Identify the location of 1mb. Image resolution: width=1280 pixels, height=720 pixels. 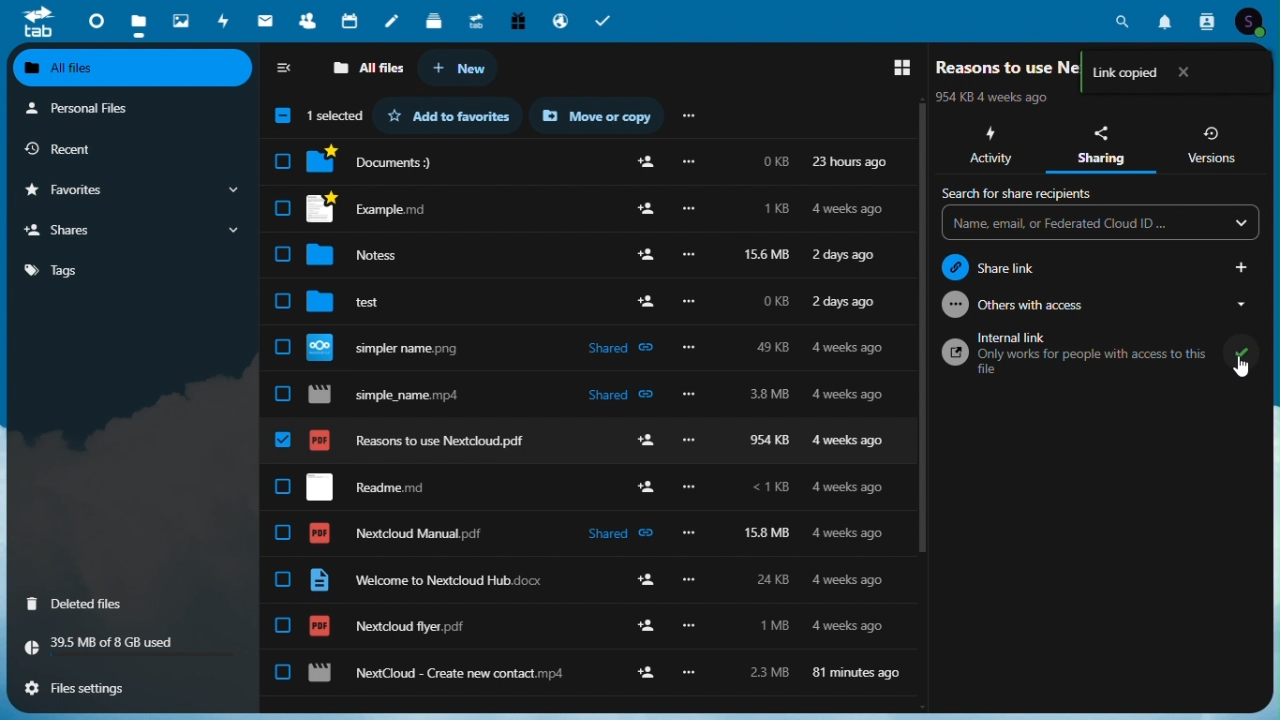
(776, 625).